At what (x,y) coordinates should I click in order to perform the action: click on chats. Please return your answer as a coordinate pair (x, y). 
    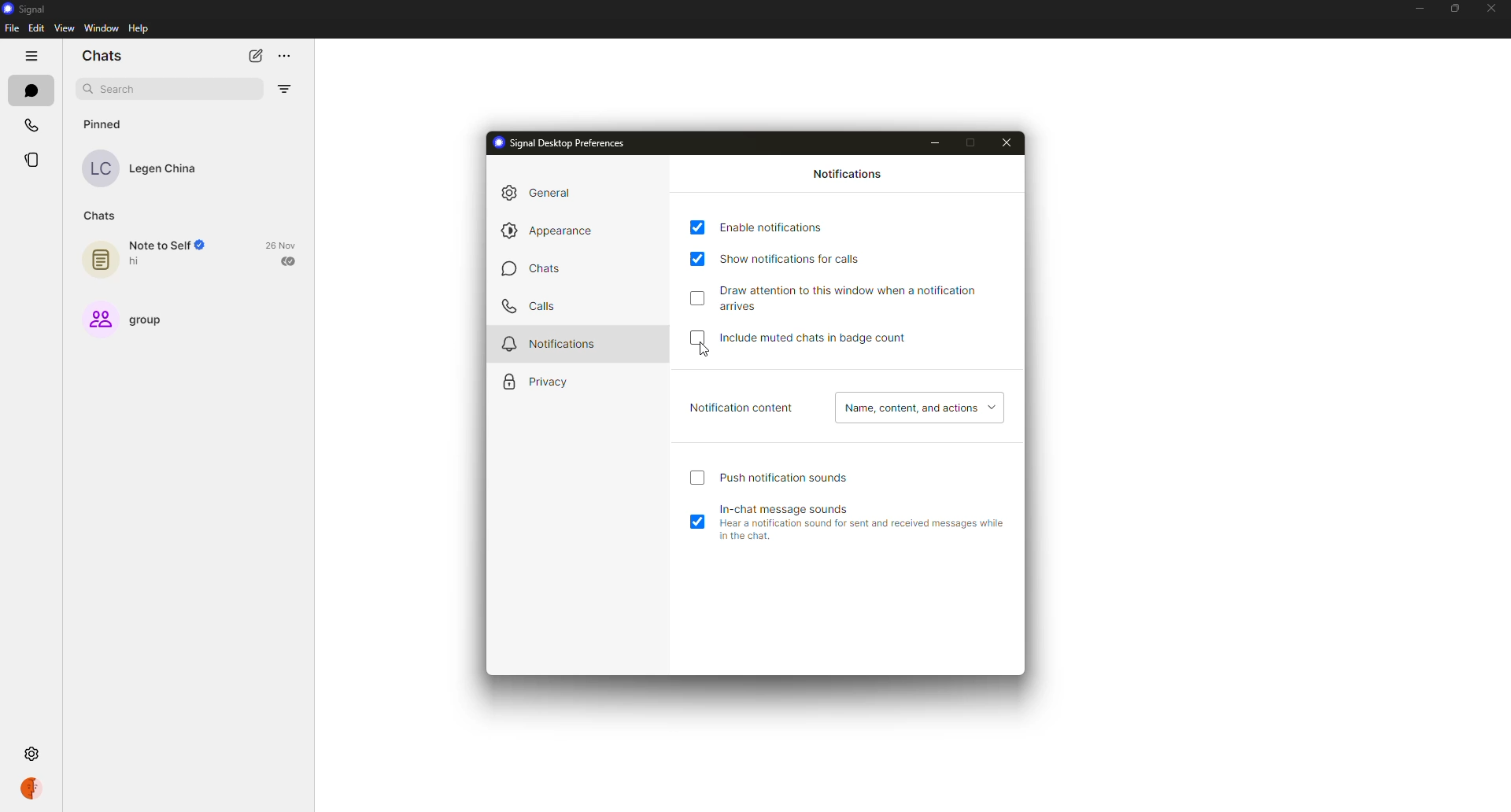
    Looking at the image, I should click on (31, 89).